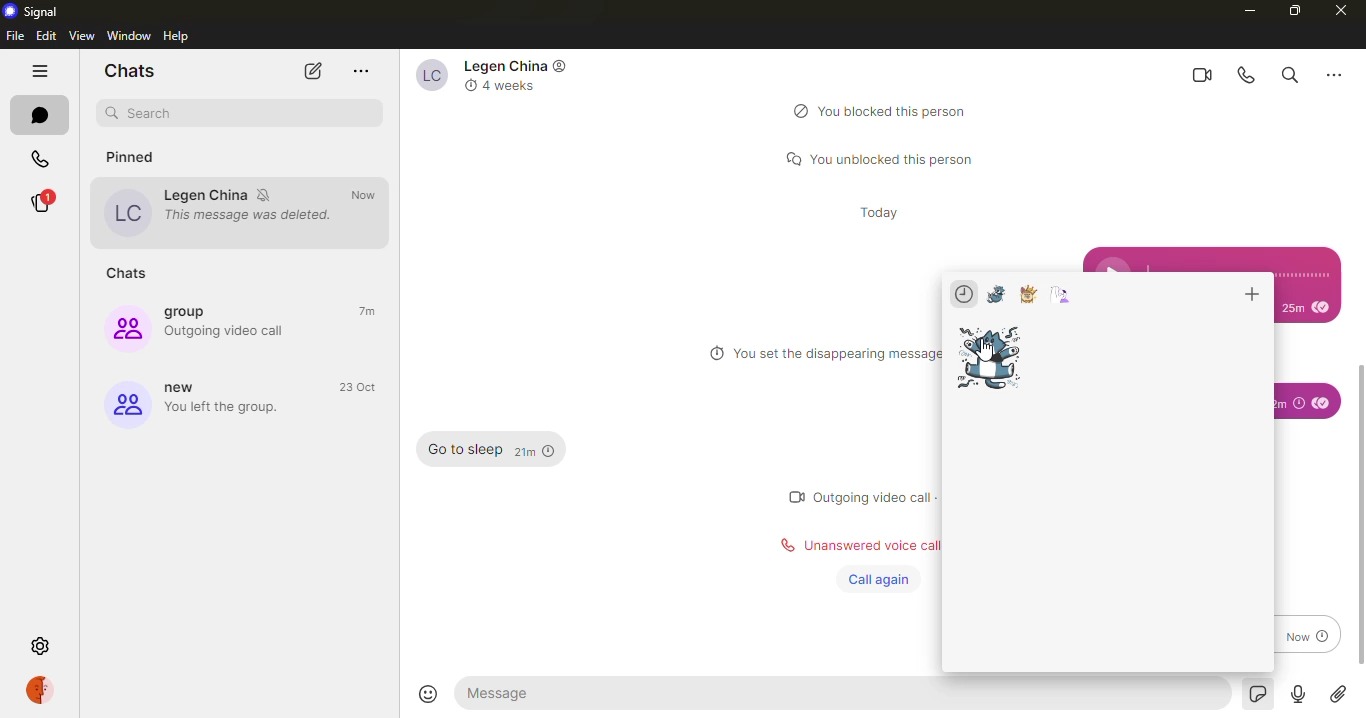  What do you see at coordinates (469, 85) in the screenshot?
I see `clock logo` at bounding box center [469, 85].